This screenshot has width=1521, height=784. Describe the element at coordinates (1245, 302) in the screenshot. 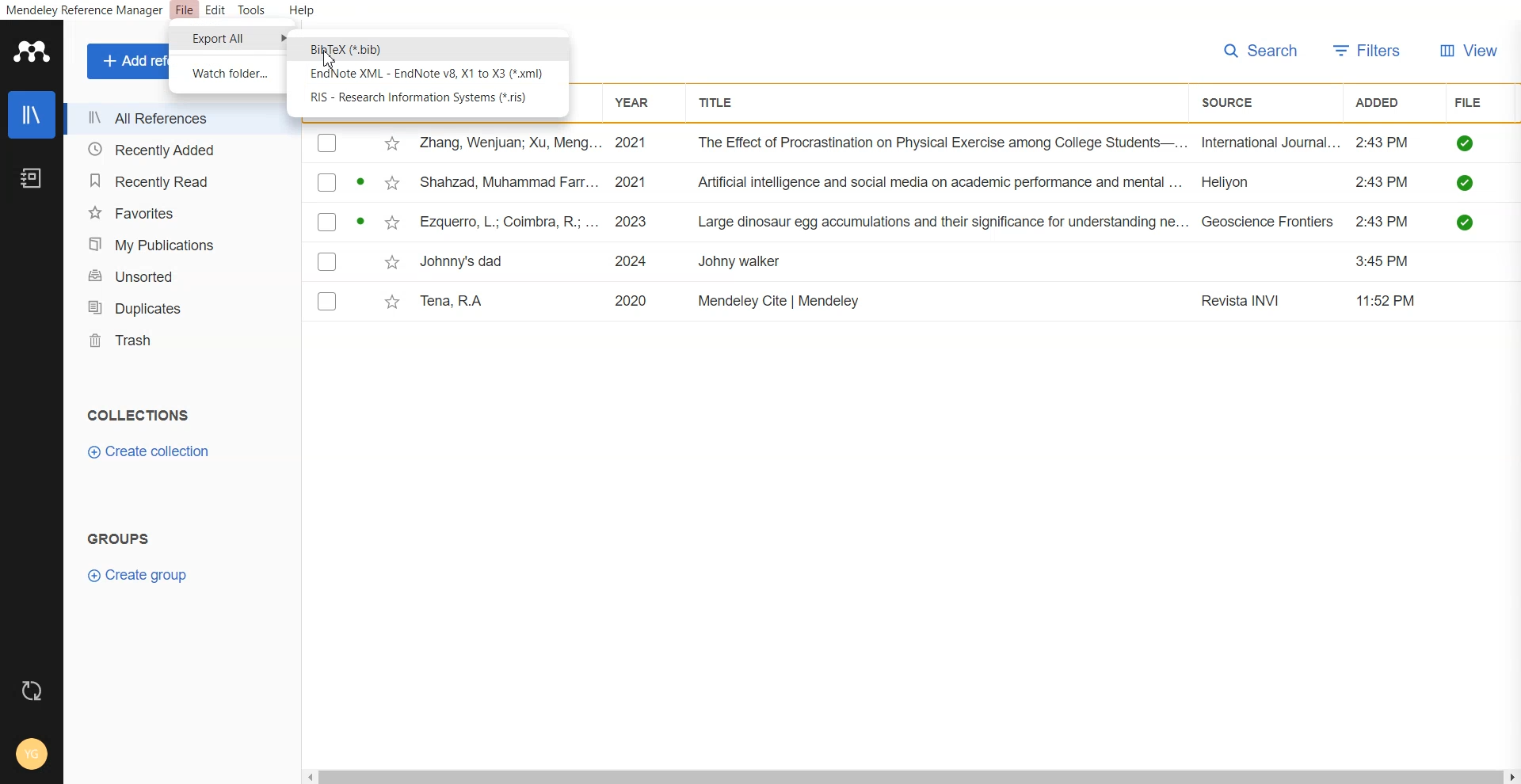

I see `Revista INVI` at that location.